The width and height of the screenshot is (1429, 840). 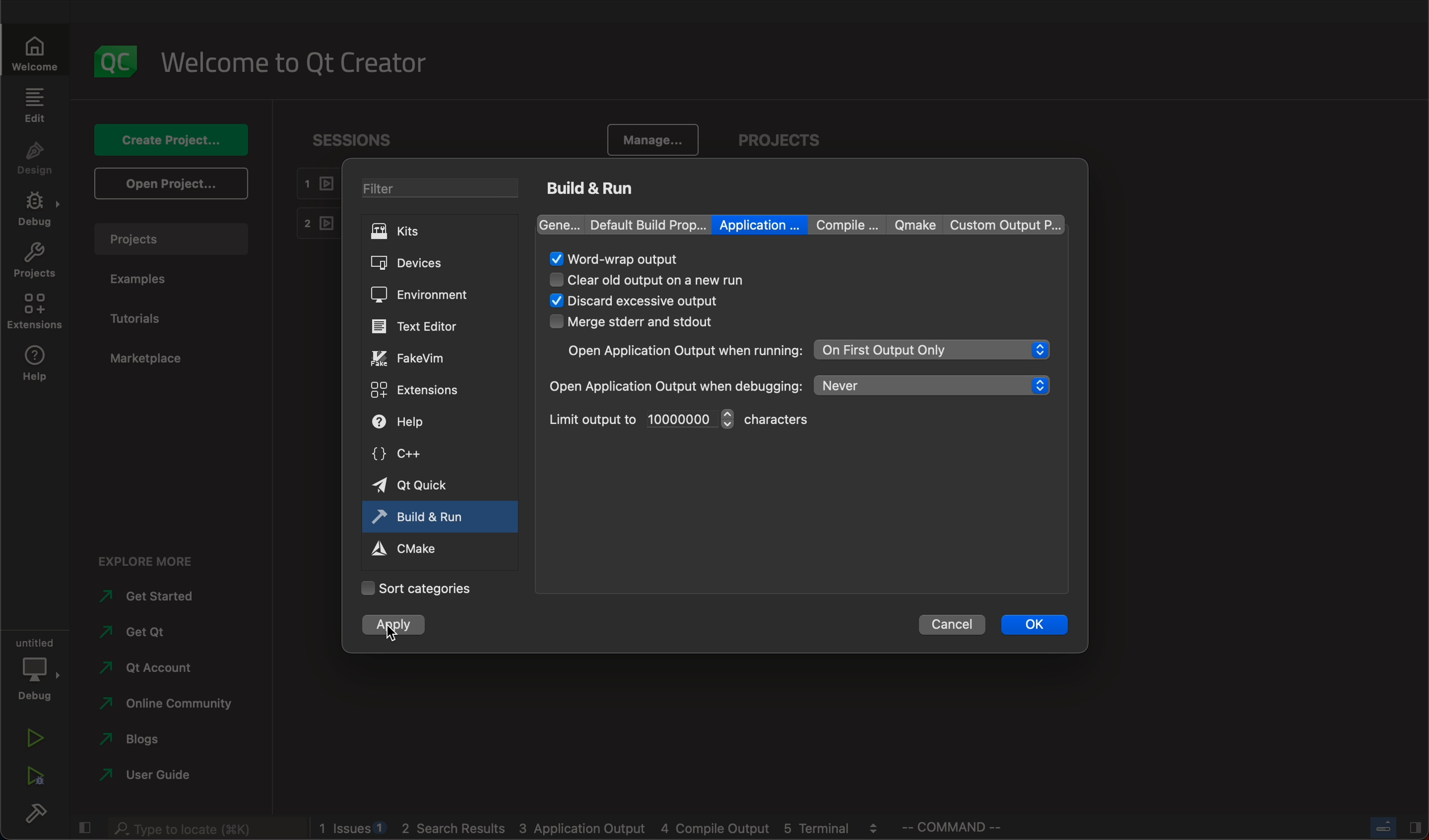 I want to click on help, so click(x=428, y=422).